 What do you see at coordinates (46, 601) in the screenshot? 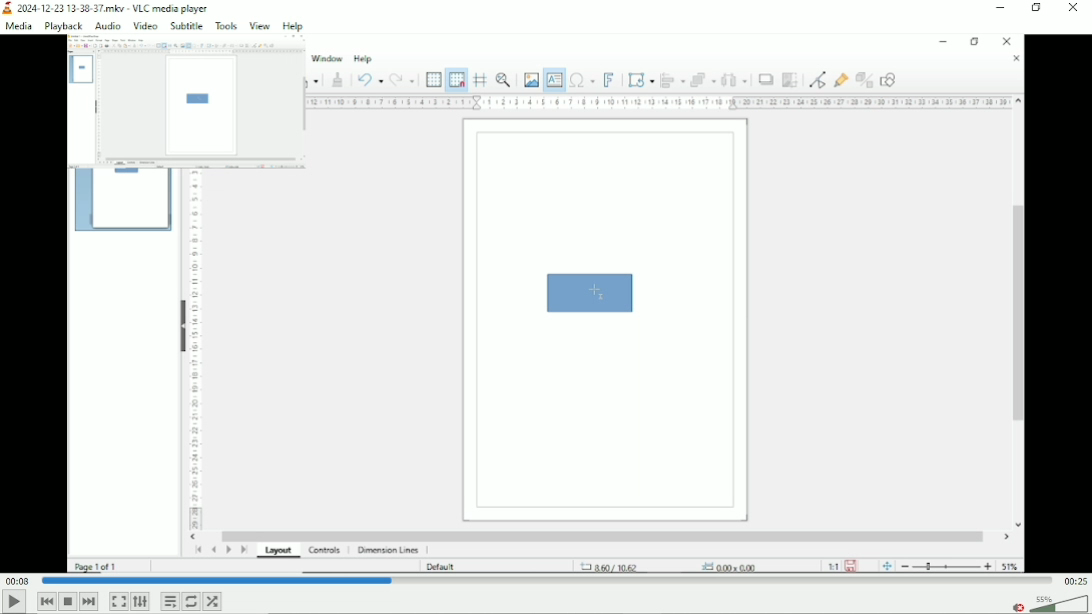
I see `Previous` at bounding box center [46, 601].